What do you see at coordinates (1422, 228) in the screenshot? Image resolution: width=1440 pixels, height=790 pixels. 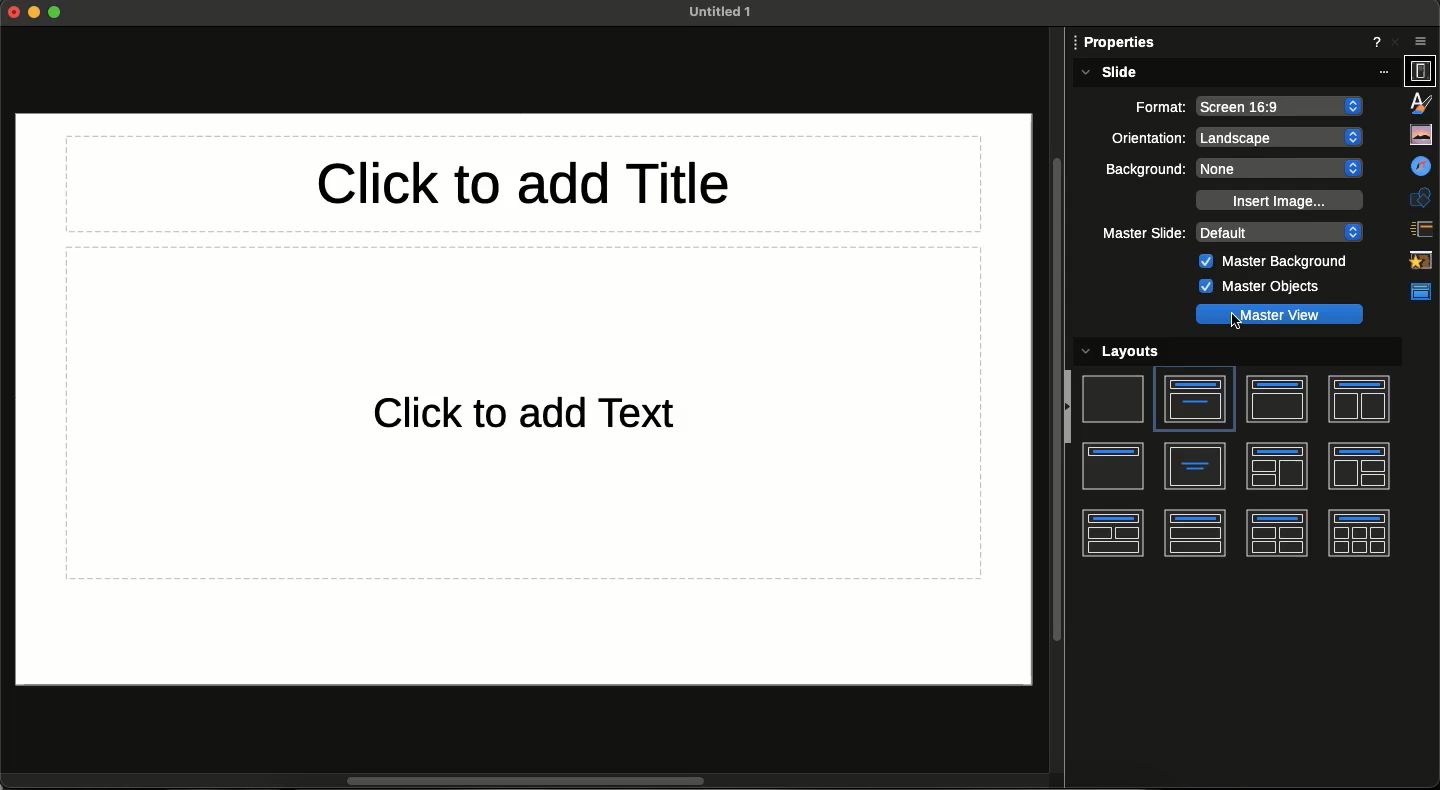 I see `Slide transition` at bounding box center [1422, 228].